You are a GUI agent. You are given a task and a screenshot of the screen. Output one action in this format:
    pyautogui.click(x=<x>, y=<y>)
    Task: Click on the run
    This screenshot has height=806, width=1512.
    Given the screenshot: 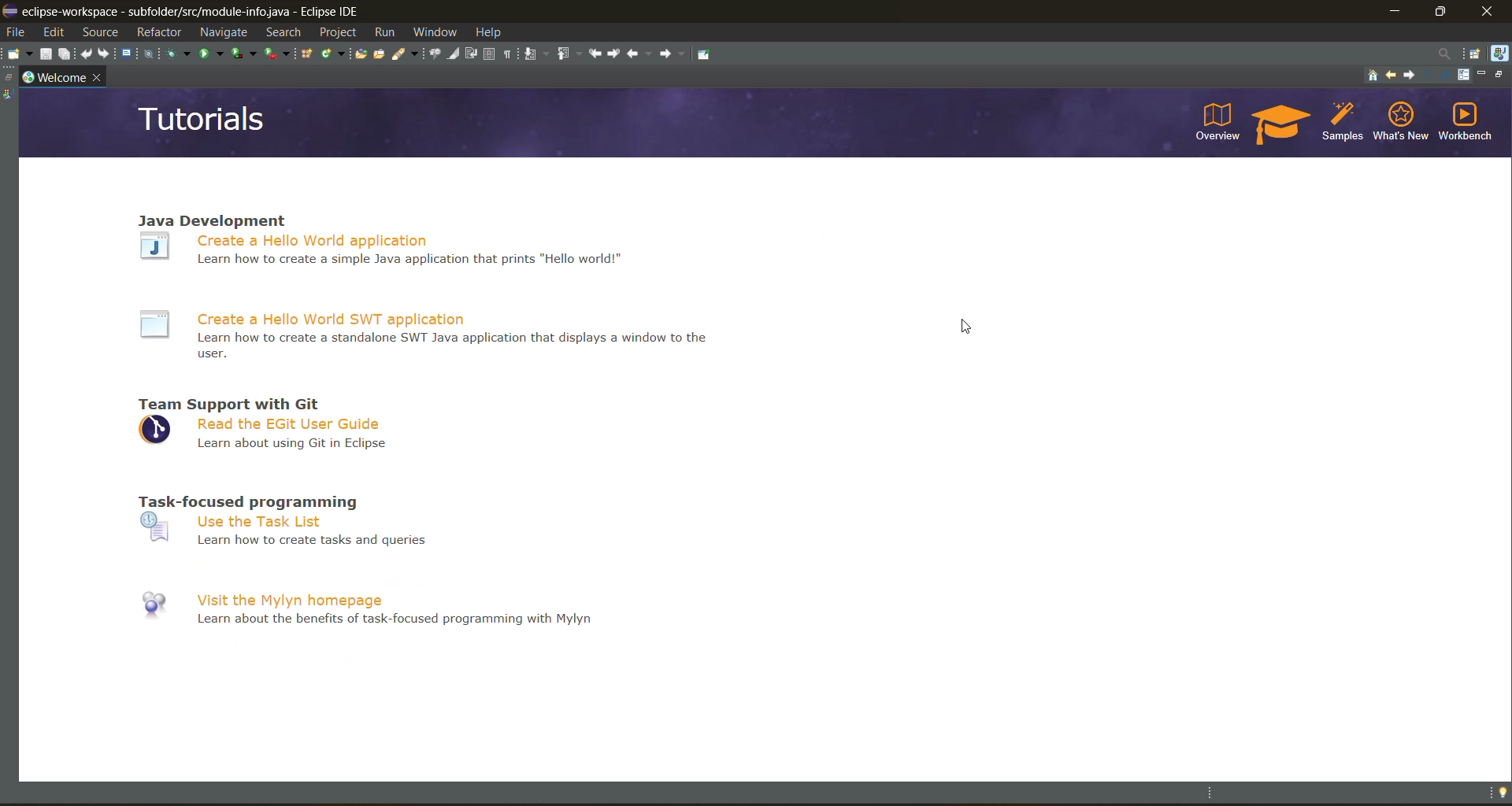 What is the action you would take?
    pyautogui.click(x=212, y=54)
    